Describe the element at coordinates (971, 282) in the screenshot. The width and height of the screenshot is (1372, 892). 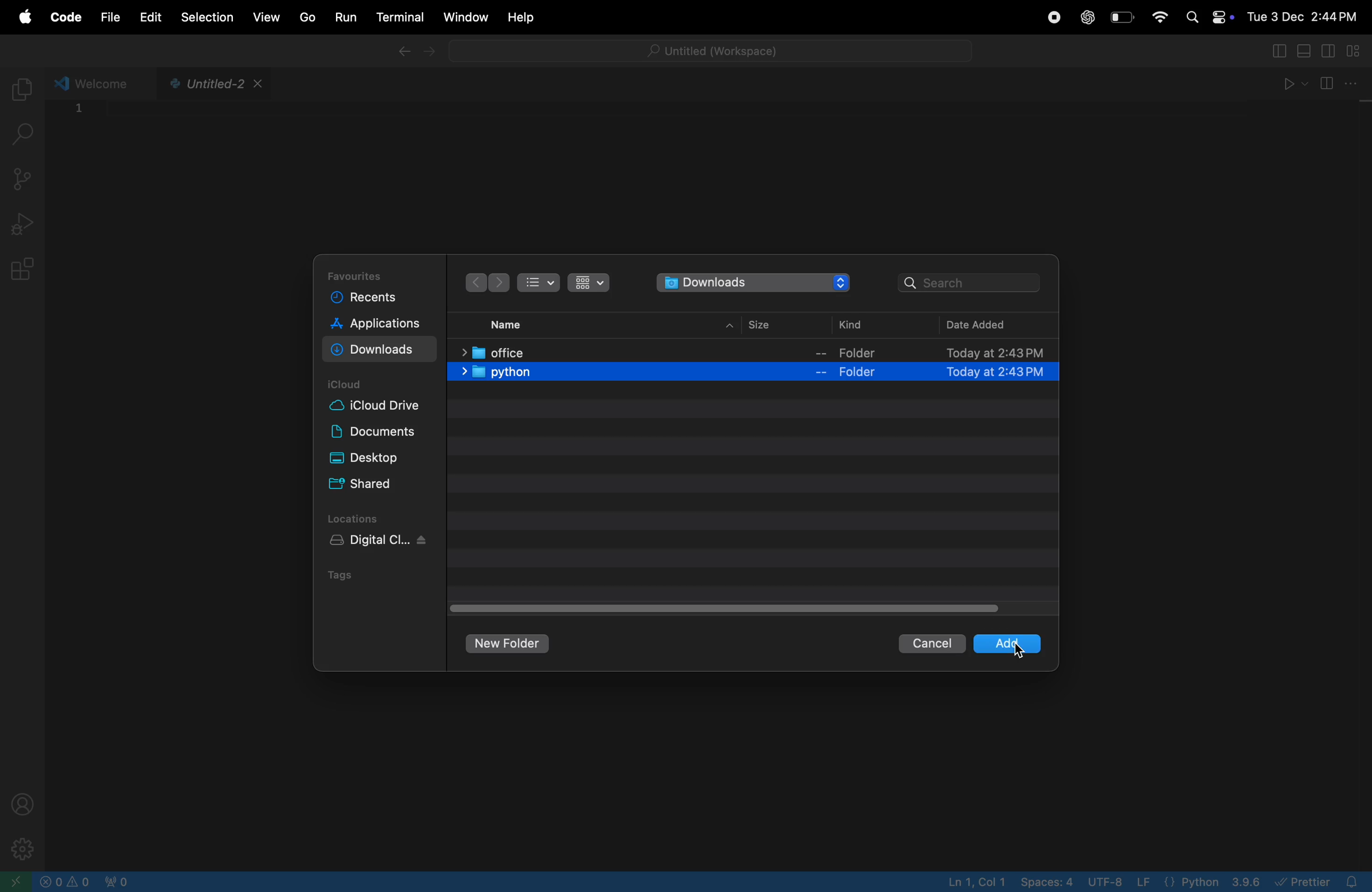
I see `search` at that location.